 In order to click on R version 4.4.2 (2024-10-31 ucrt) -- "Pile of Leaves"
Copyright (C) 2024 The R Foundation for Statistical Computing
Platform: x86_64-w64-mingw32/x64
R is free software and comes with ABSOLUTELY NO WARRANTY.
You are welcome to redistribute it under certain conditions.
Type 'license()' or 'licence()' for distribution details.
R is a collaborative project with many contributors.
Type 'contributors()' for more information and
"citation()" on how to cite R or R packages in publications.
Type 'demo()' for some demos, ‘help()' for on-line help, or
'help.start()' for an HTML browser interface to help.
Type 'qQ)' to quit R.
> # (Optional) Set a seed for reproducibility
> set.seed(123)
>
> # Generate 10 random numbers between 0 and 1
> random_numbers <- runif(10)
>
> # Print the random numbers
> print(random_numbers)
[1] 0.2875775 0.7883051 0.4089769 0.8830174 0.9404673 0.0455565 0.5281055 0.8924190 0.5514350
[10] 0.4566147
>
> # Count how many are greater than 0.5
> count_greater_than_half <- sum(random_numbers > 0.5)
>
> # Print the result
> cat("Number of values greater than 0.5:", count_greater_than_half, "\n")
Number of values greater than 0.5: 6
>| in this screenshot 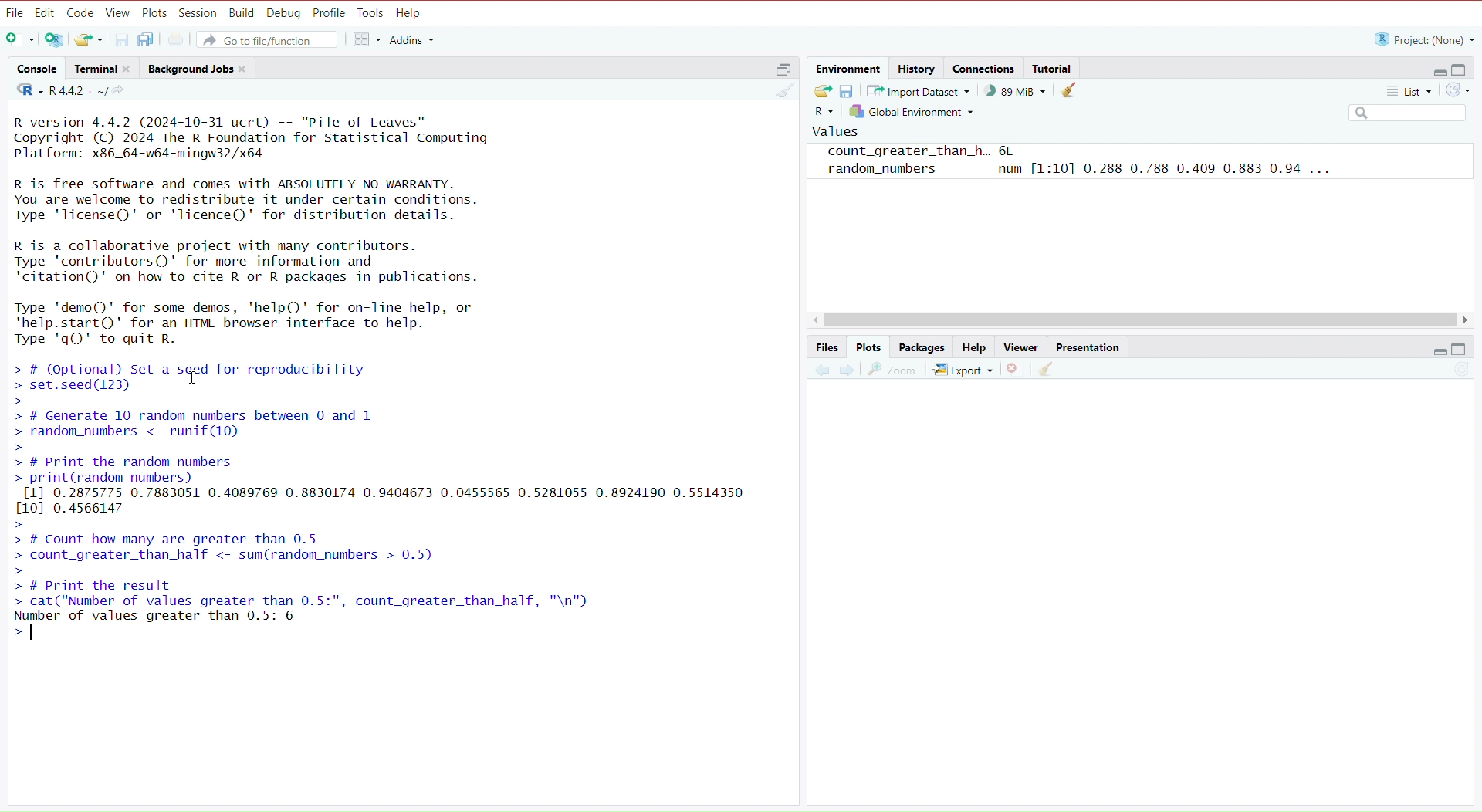, I will do `click(398, 385)`.